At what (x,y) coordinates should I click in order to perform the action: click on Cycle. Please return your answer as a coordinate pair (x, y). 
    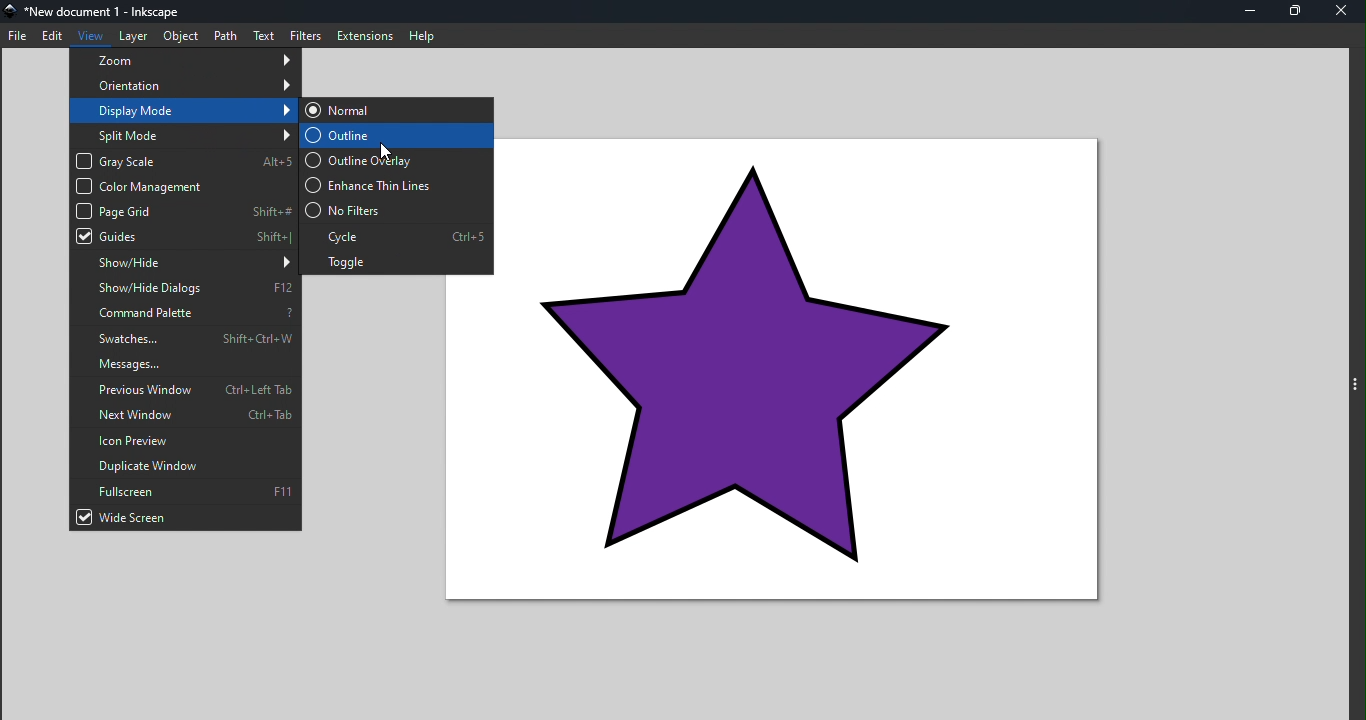
    Looking at the image, I should click on (396, 233).